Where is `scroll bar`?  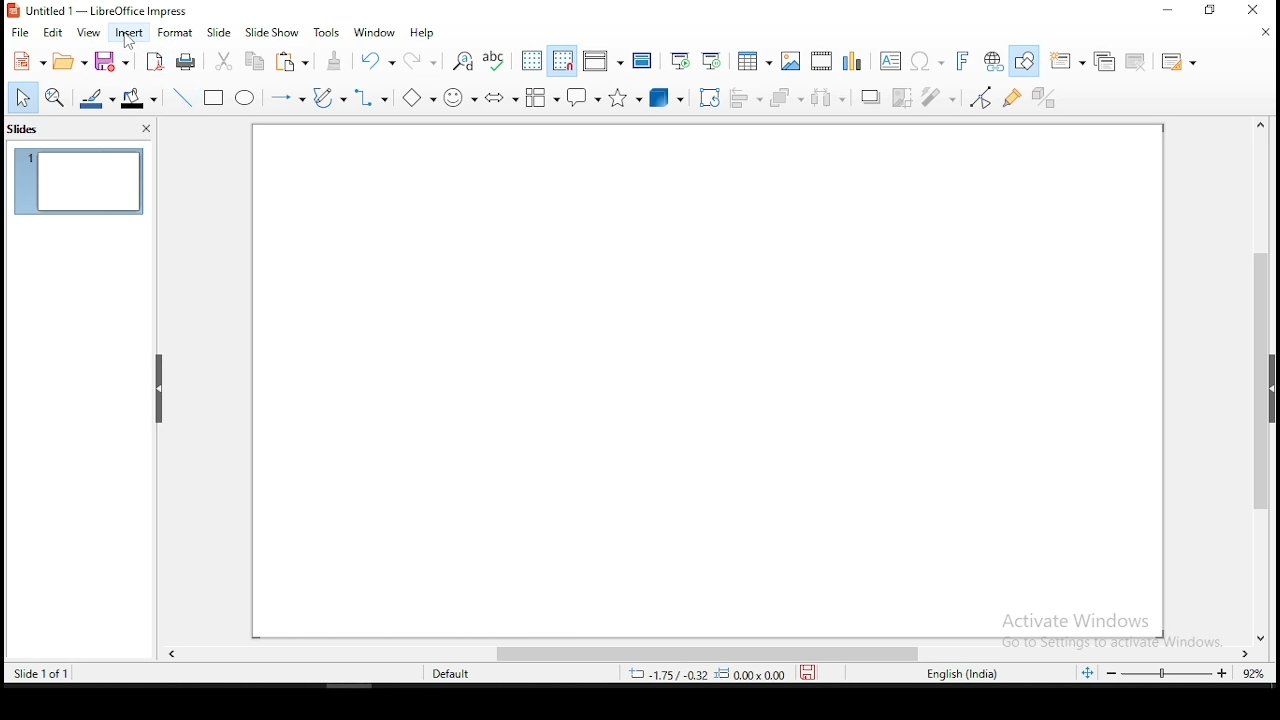 scroll bar is located at coordinates (1258, 383).